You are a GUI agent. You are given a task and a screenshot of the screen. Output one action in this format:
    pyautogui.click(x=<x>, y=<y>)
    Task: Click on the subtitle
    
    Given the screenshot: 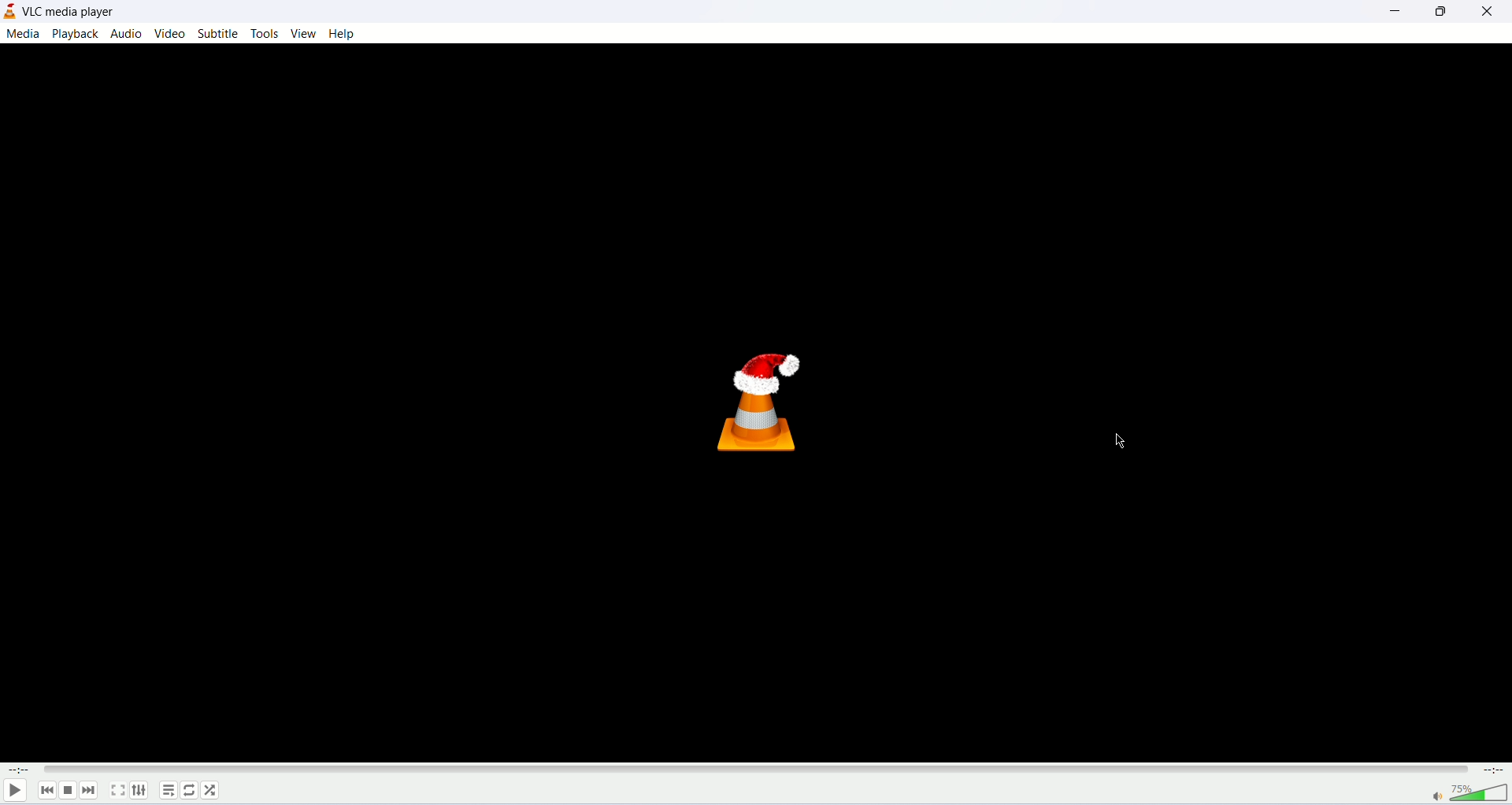 What is the action you would take?
    pyautogui.click(x=220, y=33)
    